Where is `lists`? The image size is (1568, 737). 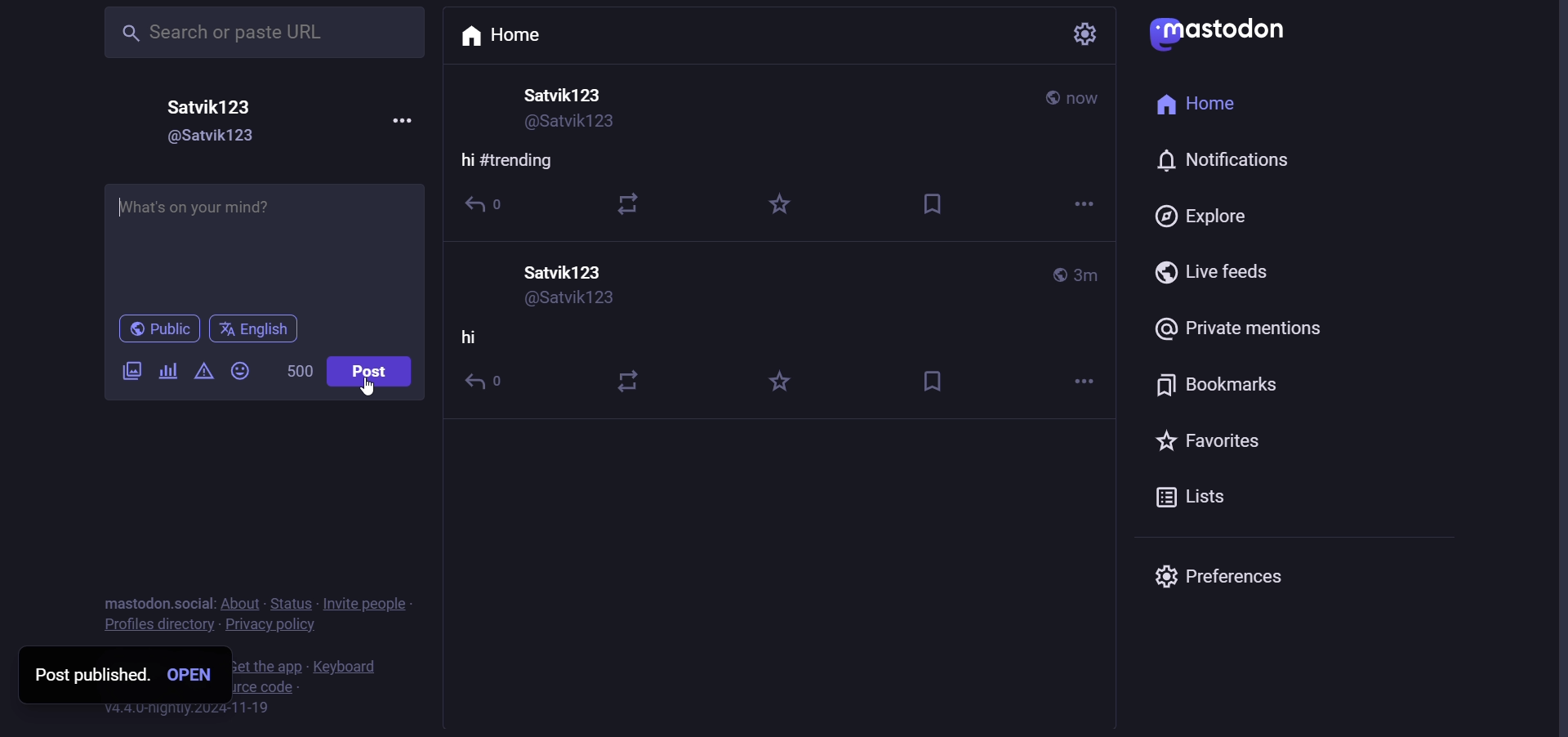
lists is located at coordinates (1187, 501).